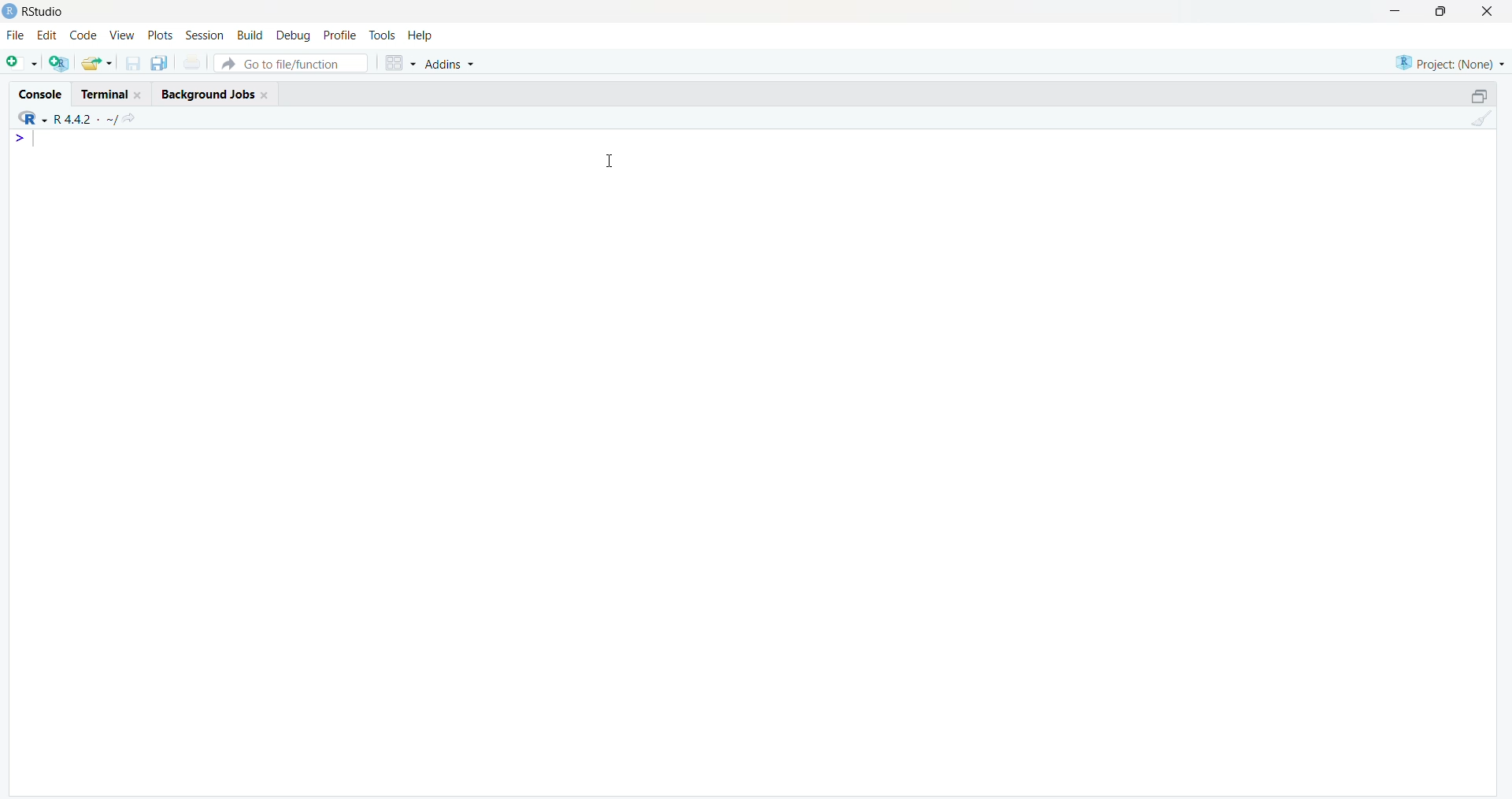 The height and width of the screenshot is (799, 1512). What do you see at coordinates (1481, 118) in the screenshot?
I see `clean` at bounding box center [1481, 118].